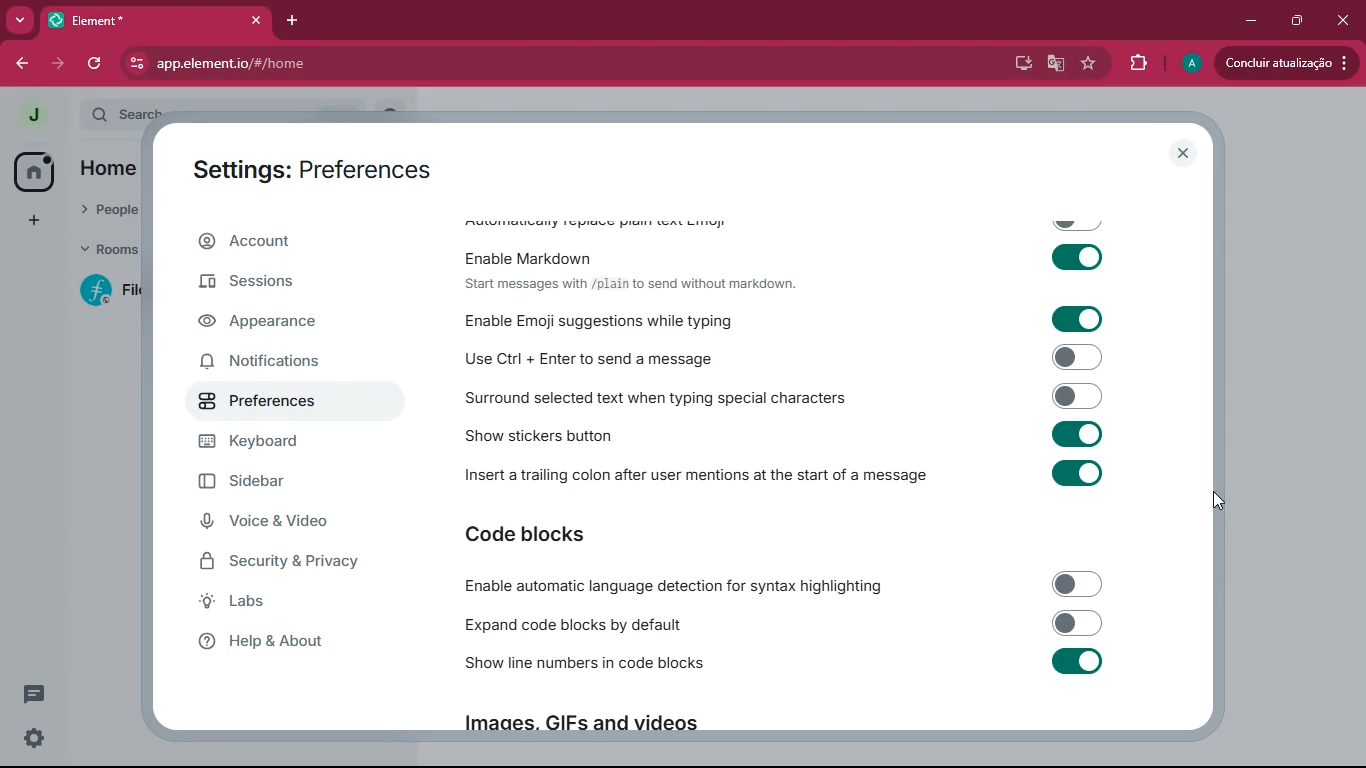 The image size is (1366, 768). Describe the element at coordinates (780, 360) in the screenshot. I see `Use Ctrl + Enter to send a message` at that location.